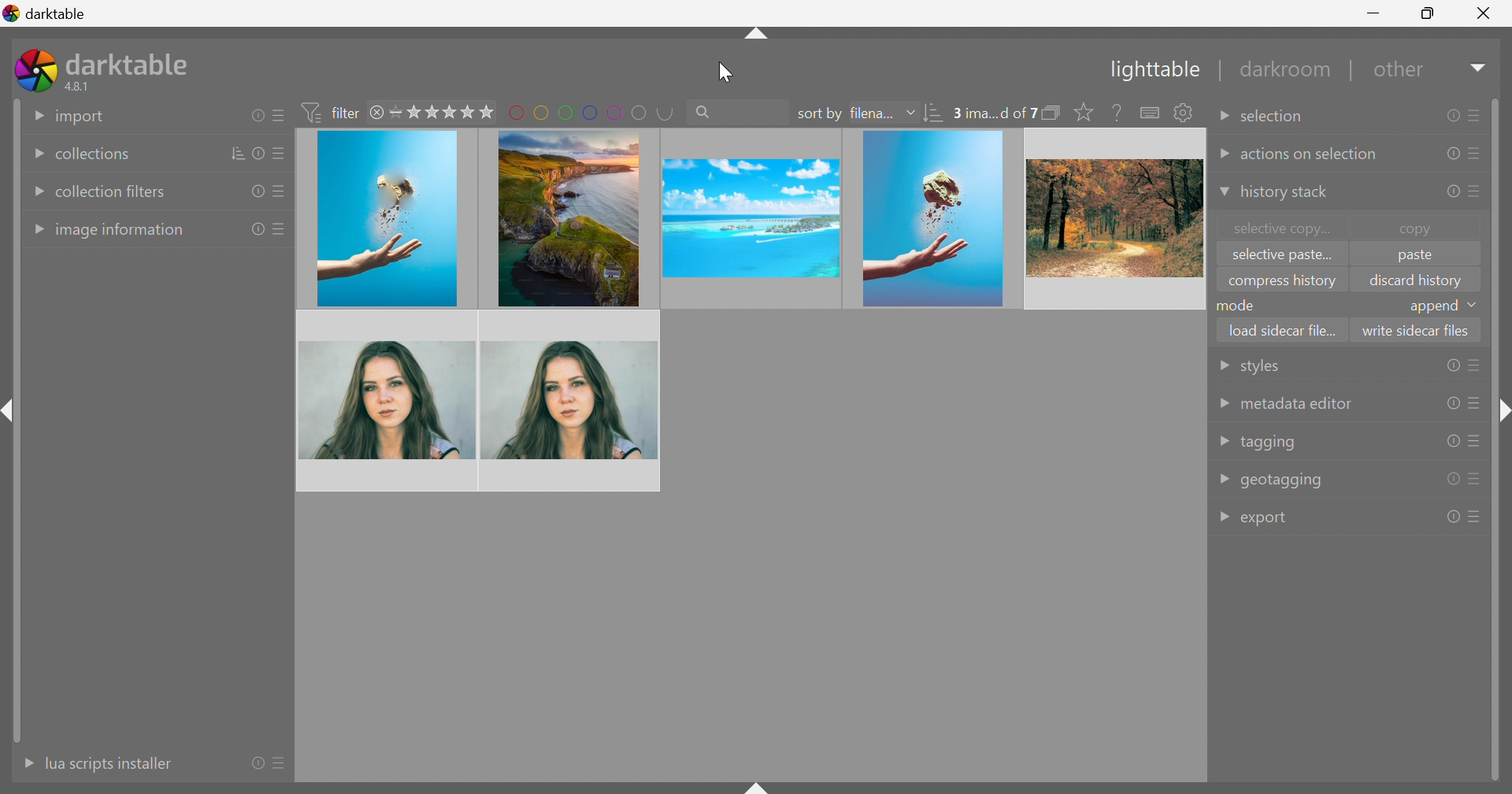  What do you see at coordinates (1478, 190) in the screenshot?
I see `presets` at bounding box center [1478, 190].